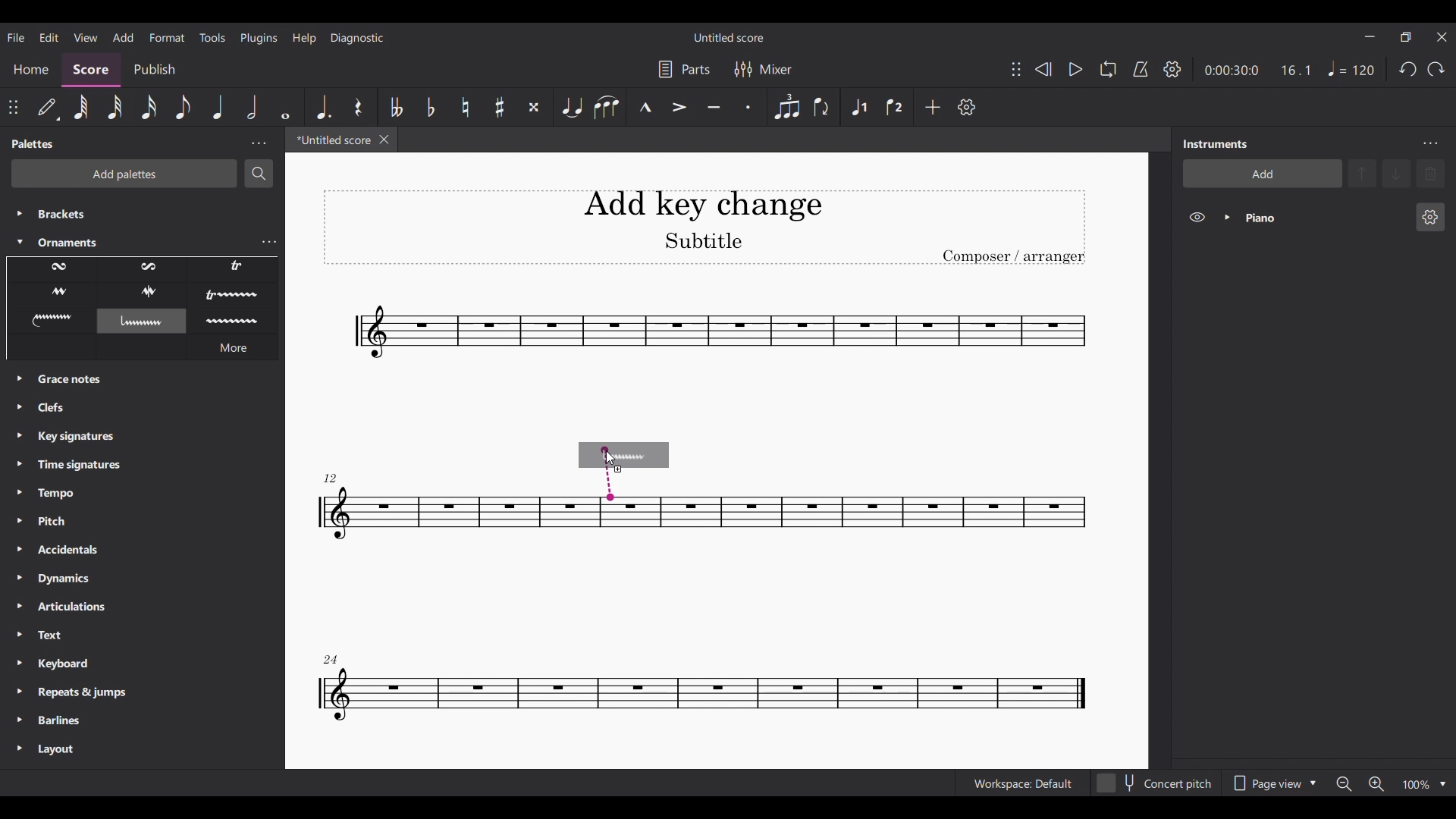 This screenshot has width=1456, height=819. I want to click on Toggle double sharp, so click(534, 106).